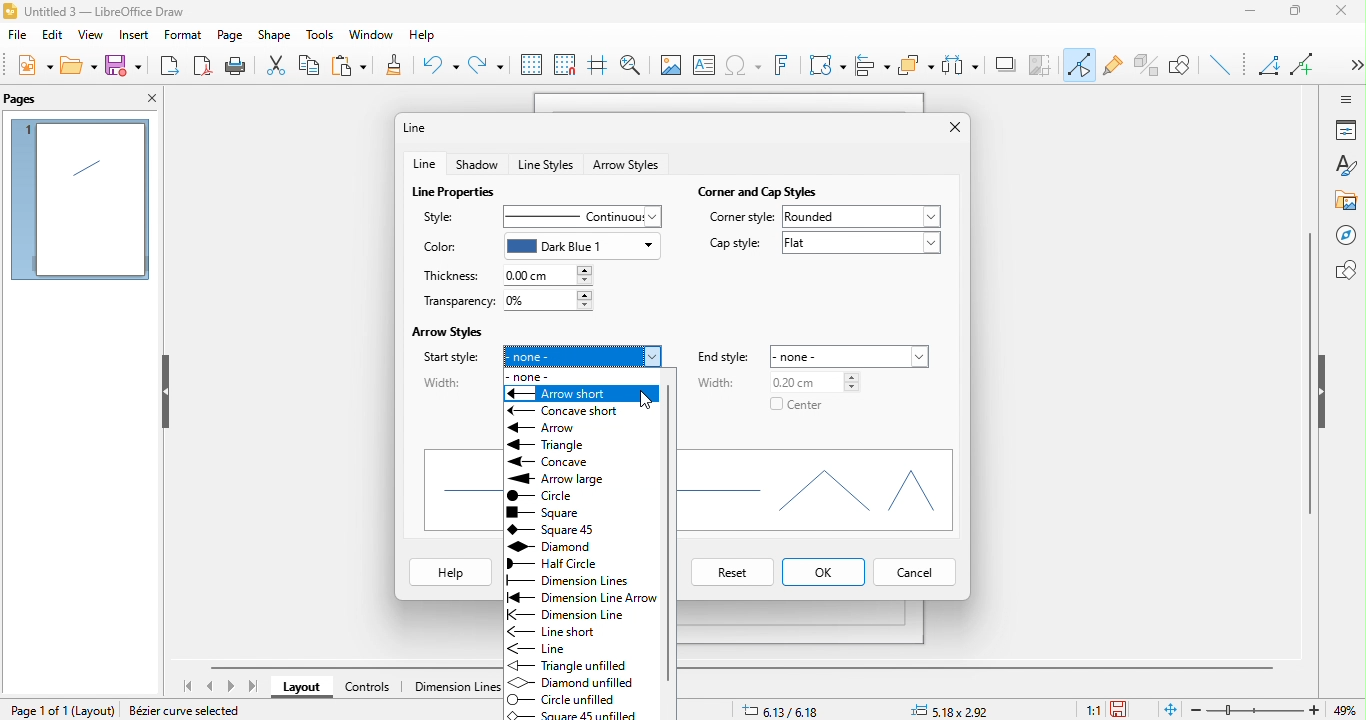 The width and height of the screenshot is (1366, 720). I want to click on add line, so click(1307, 62).